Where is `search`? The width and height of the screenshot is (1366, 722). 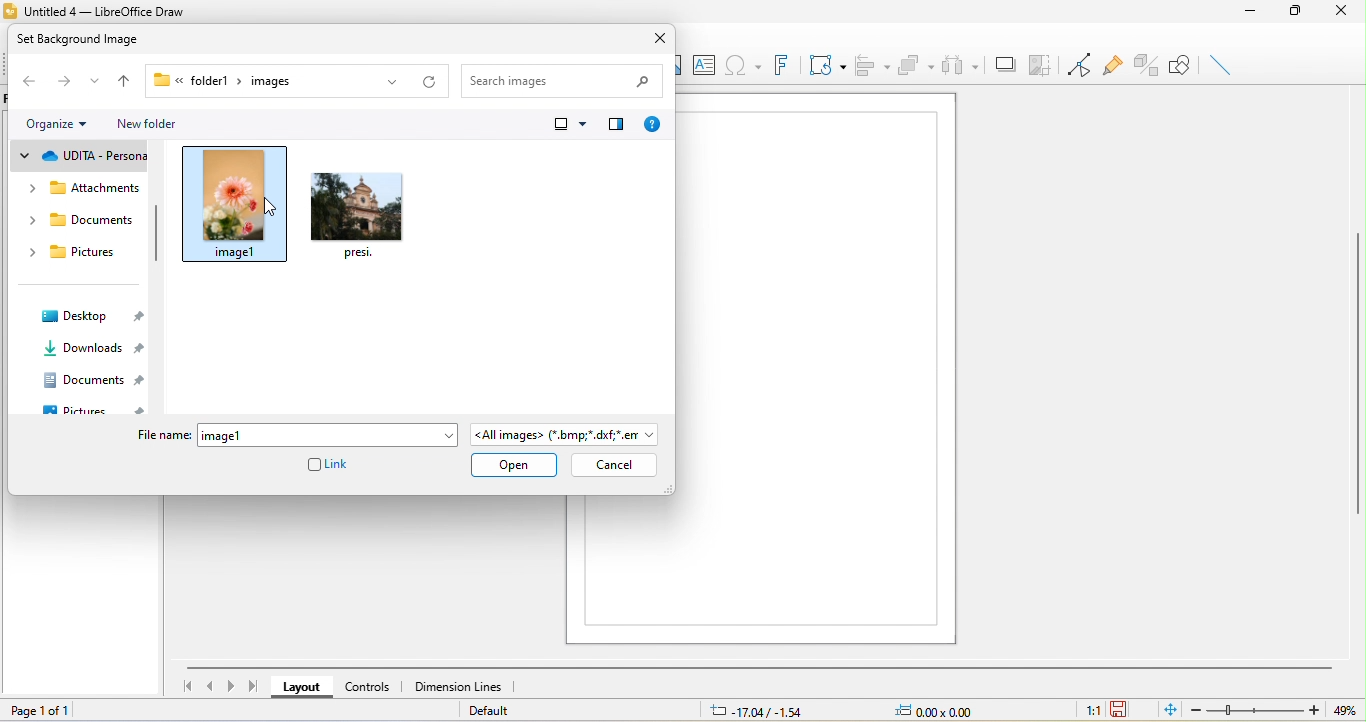
search is located at coordinates (567, 77).